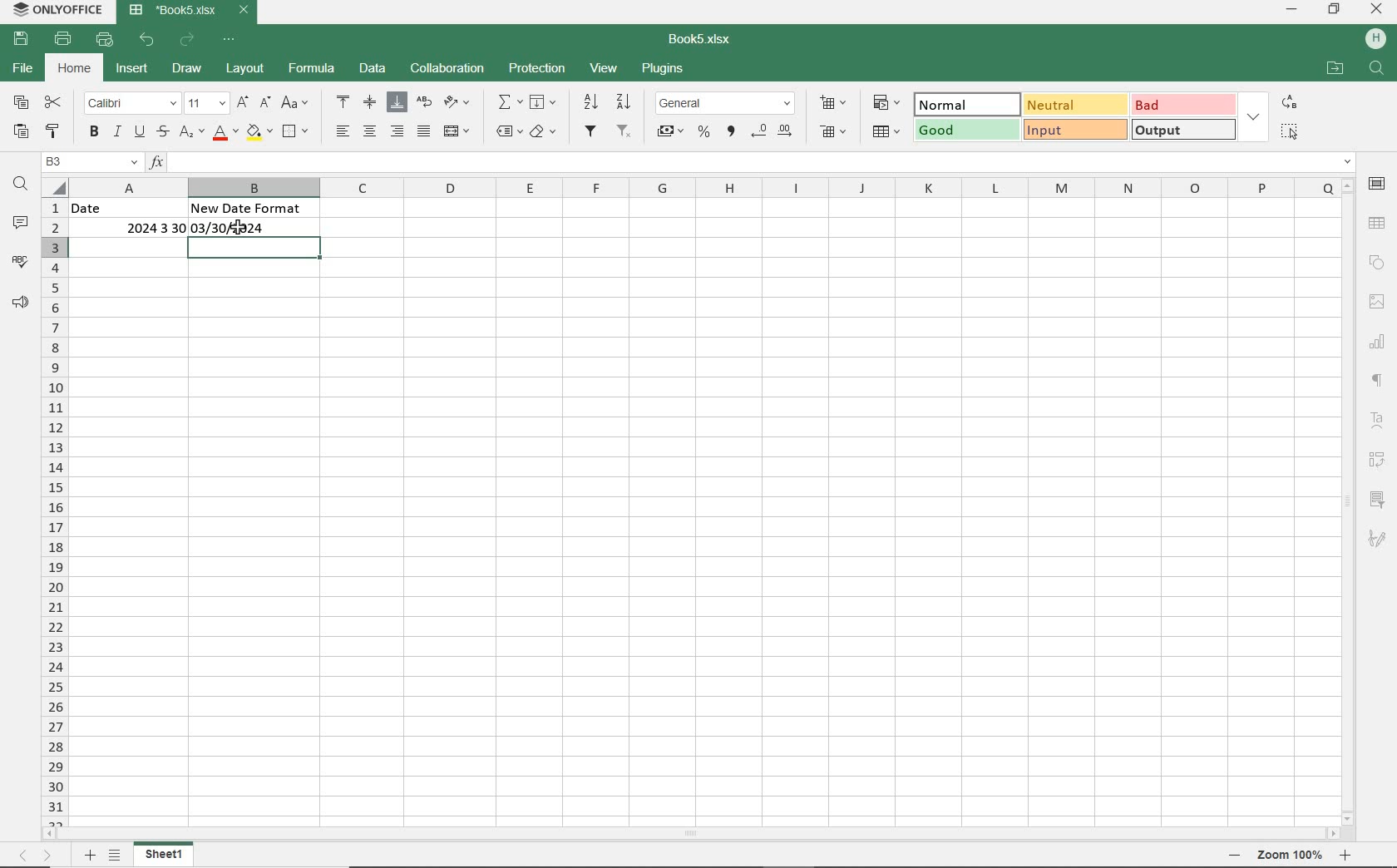  I want to click on zoom 100%, so click(1290, 855).